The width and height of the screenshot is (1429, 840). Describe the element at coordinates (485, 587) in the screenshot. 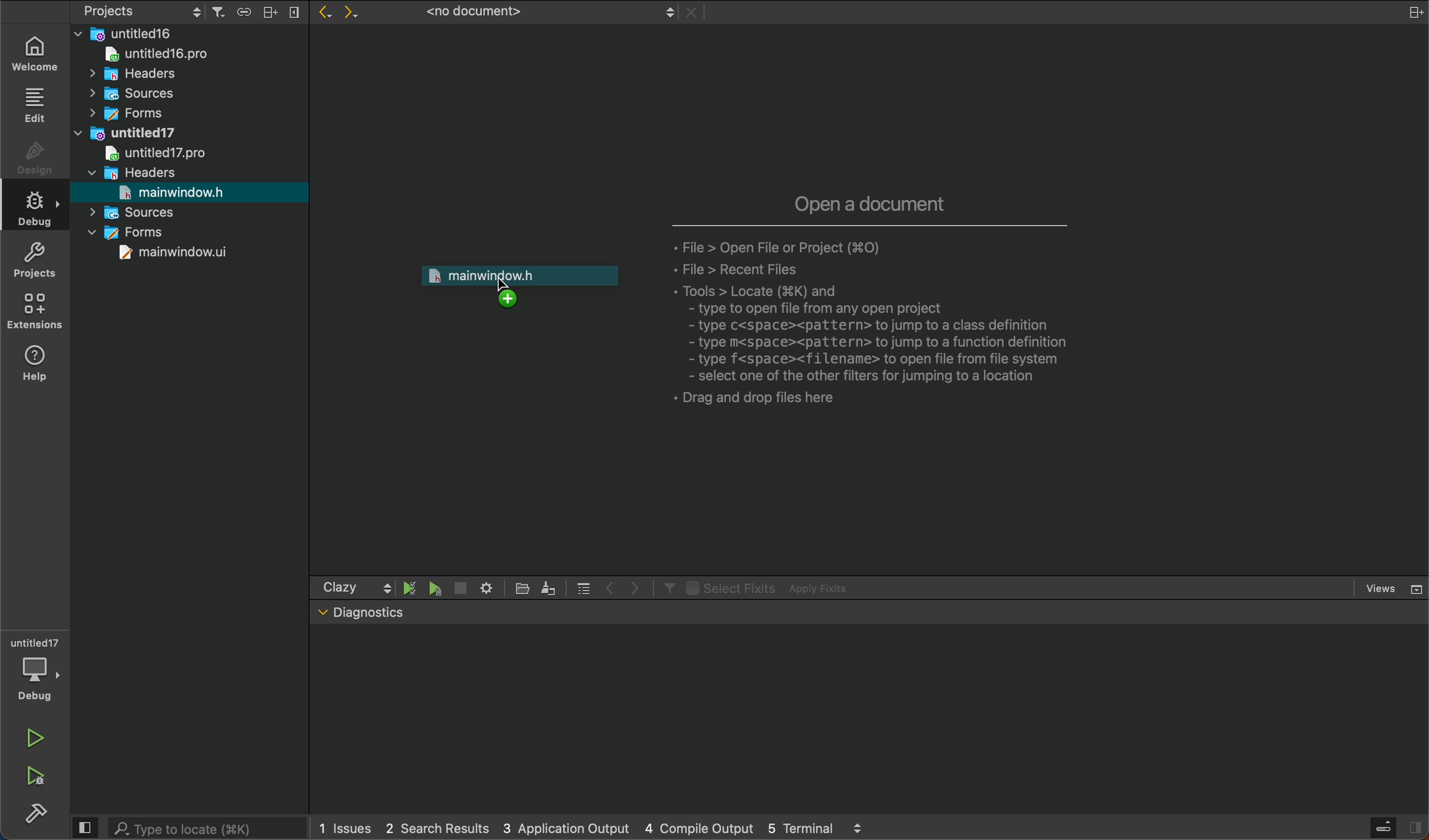

I see `settings` at that location.